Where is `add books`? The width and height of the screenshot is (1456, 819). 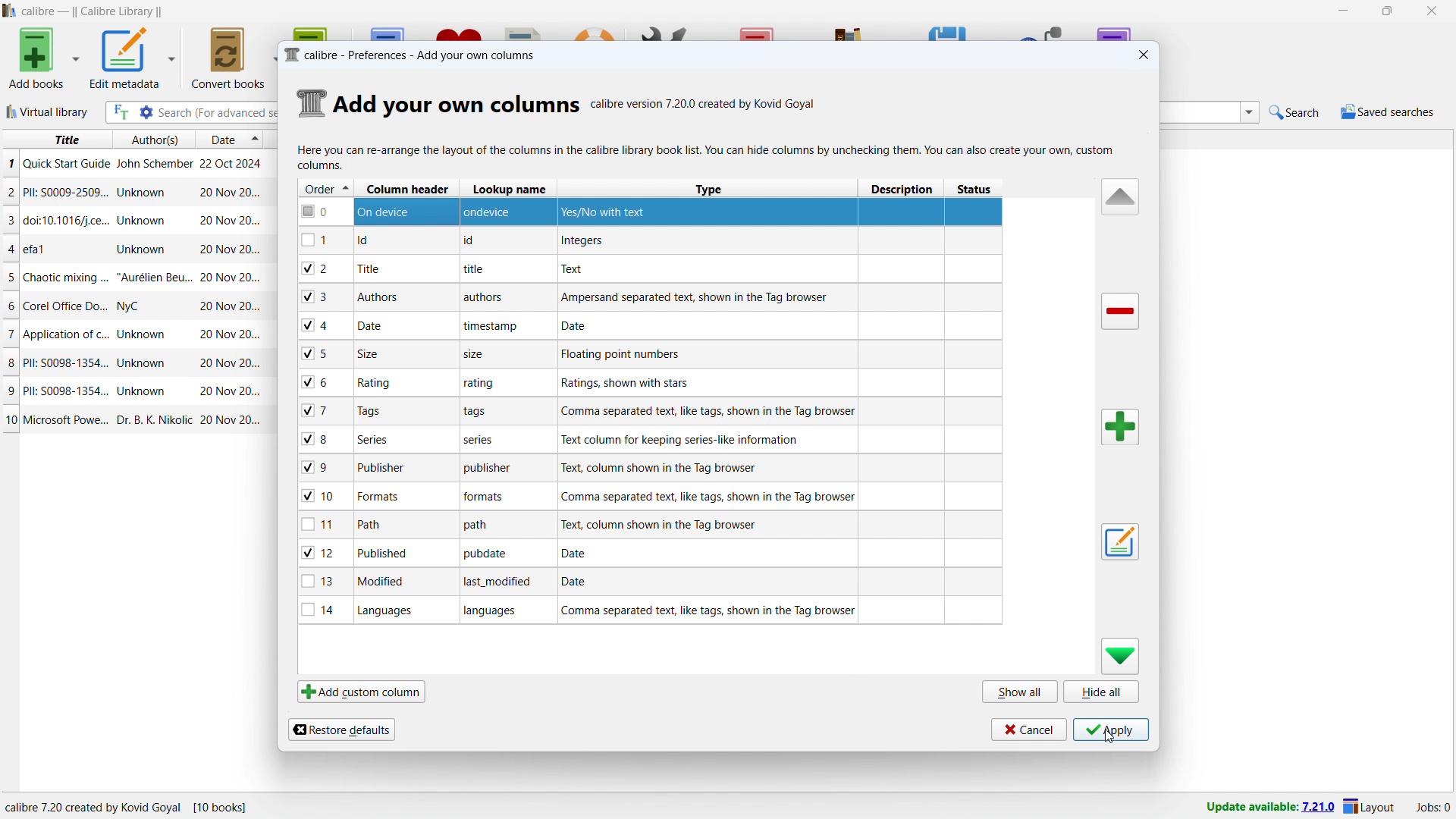 add books is located at coordinates (37, 58).